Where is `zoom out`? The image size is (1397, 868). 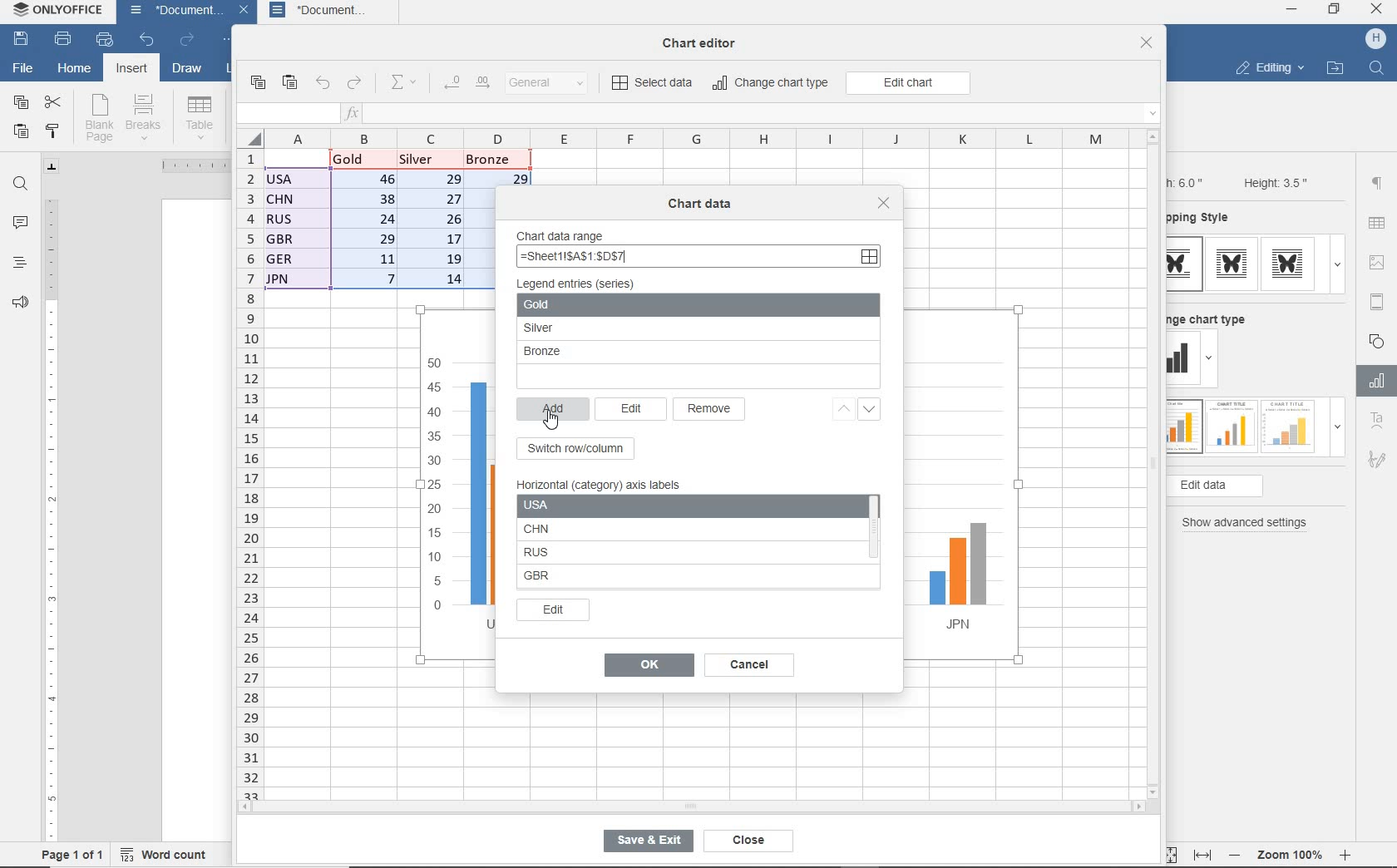 zoom out is located at coordinates (1237, 855).